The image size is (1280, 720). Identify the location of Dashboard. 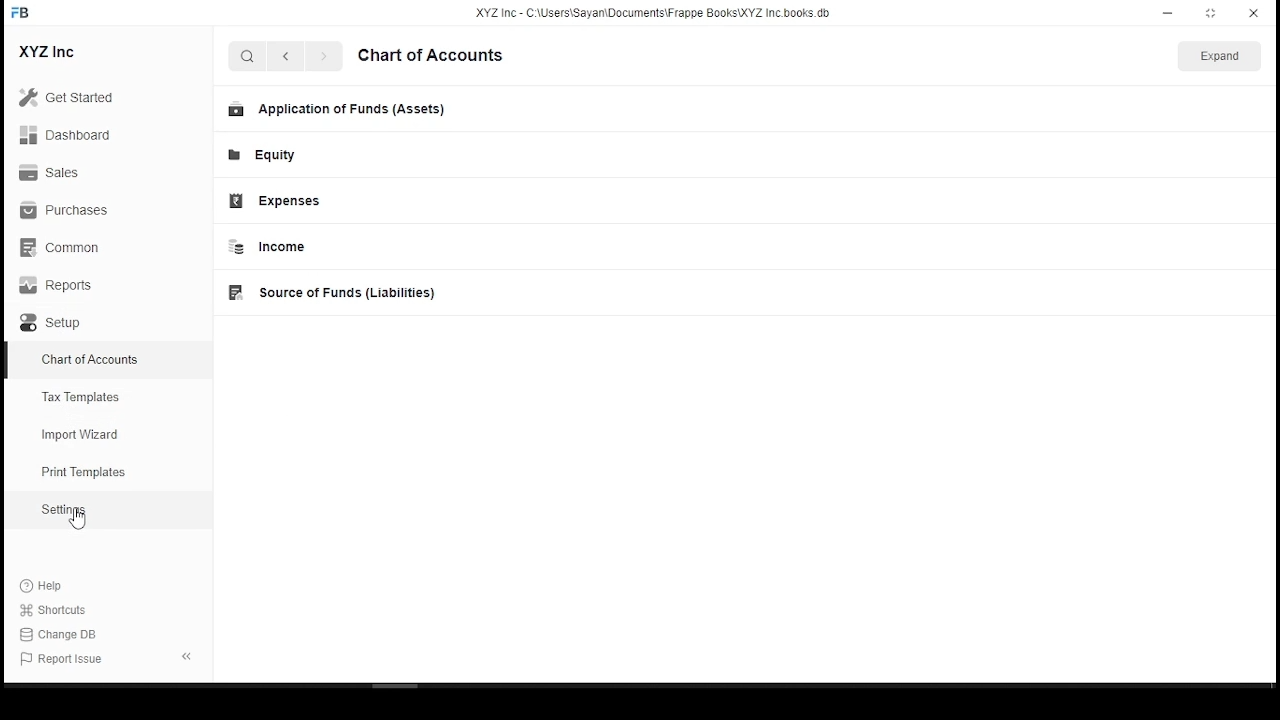
(68, 137).